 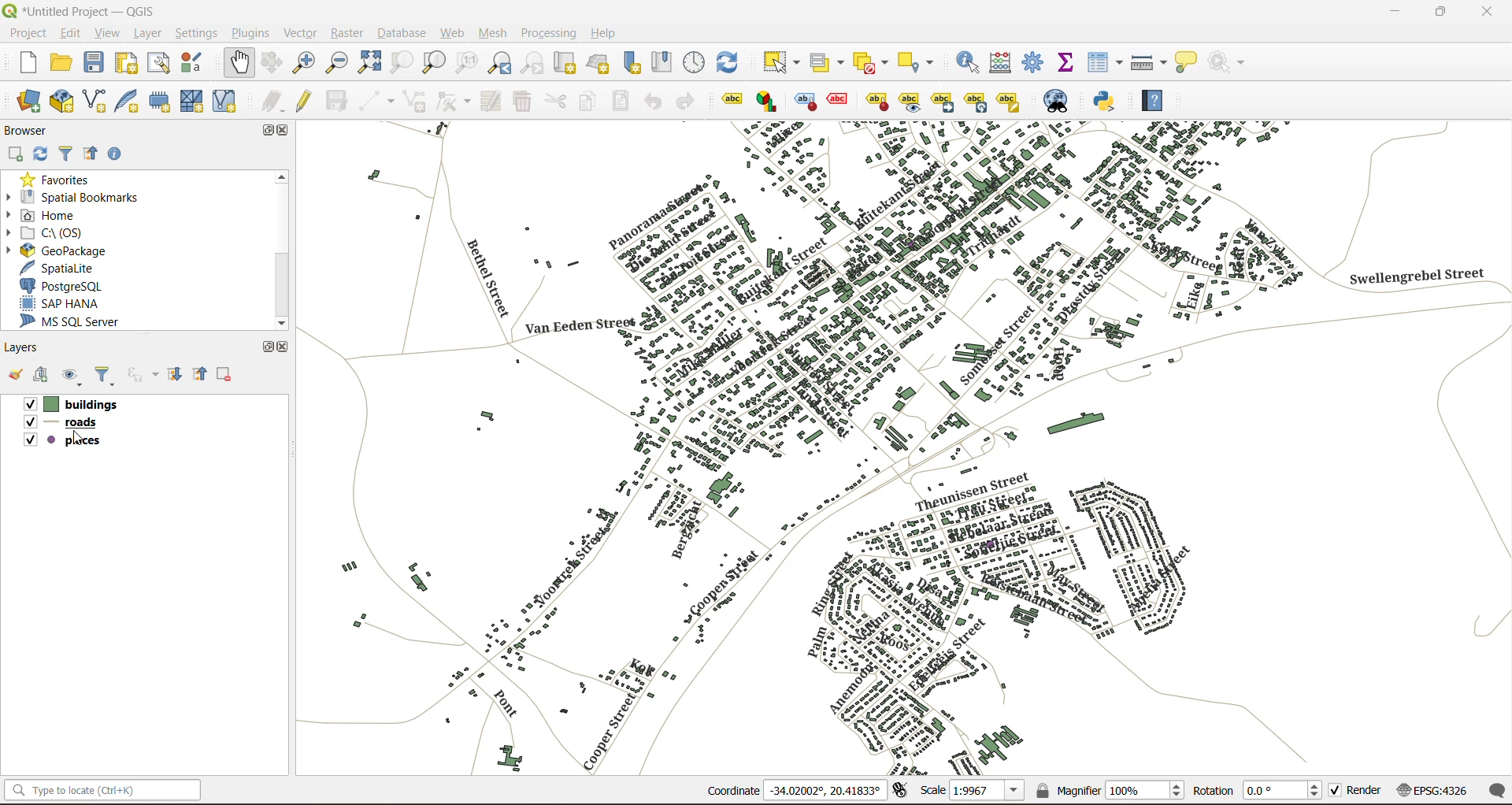 What do you see at coordinates (841, 100) in the screenshot?
I see `toggle display of unplaced labels` at bounding box center [841, 100].